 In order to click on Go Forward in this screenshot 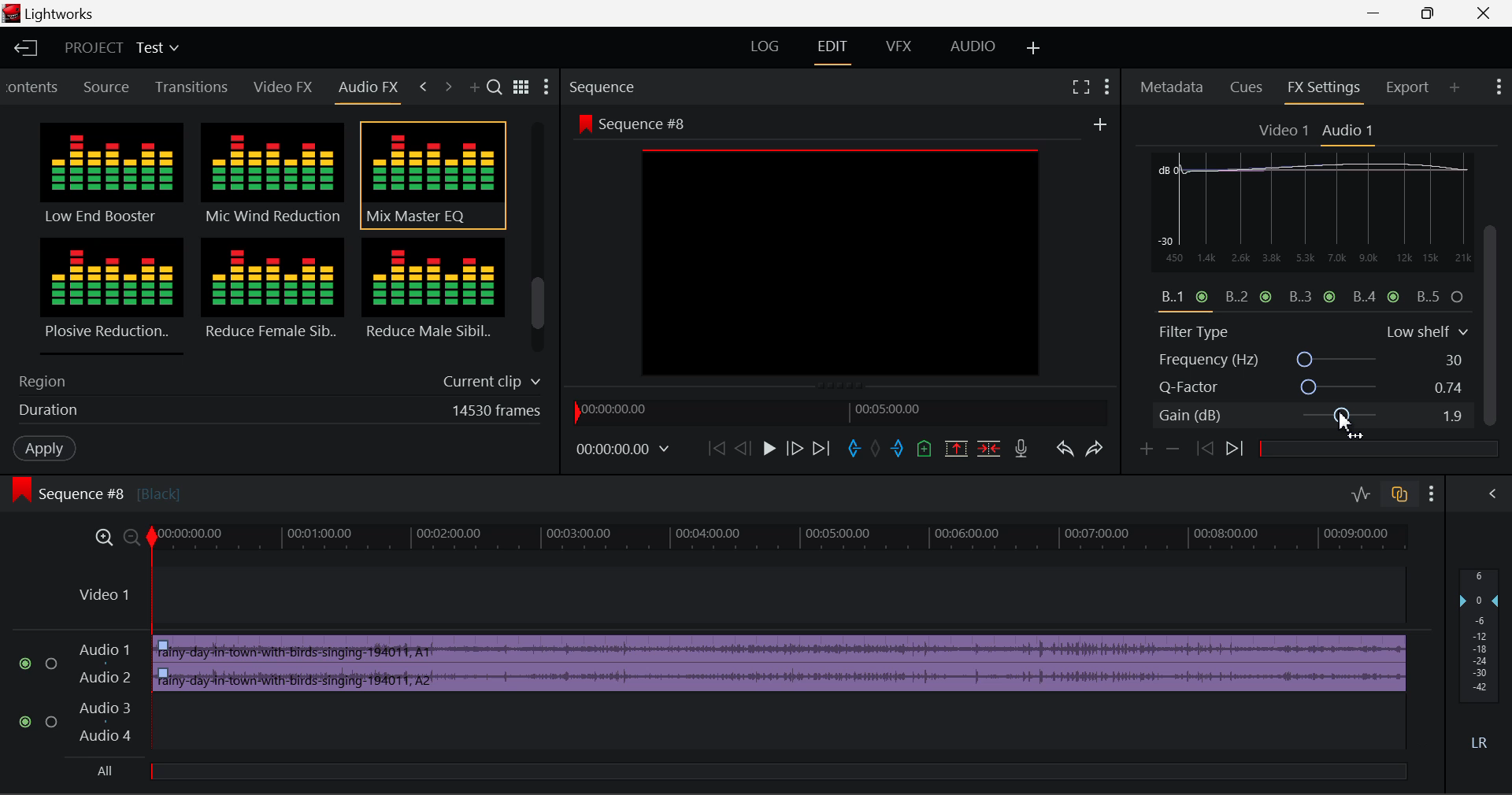, I will do `click(794, 449)`.